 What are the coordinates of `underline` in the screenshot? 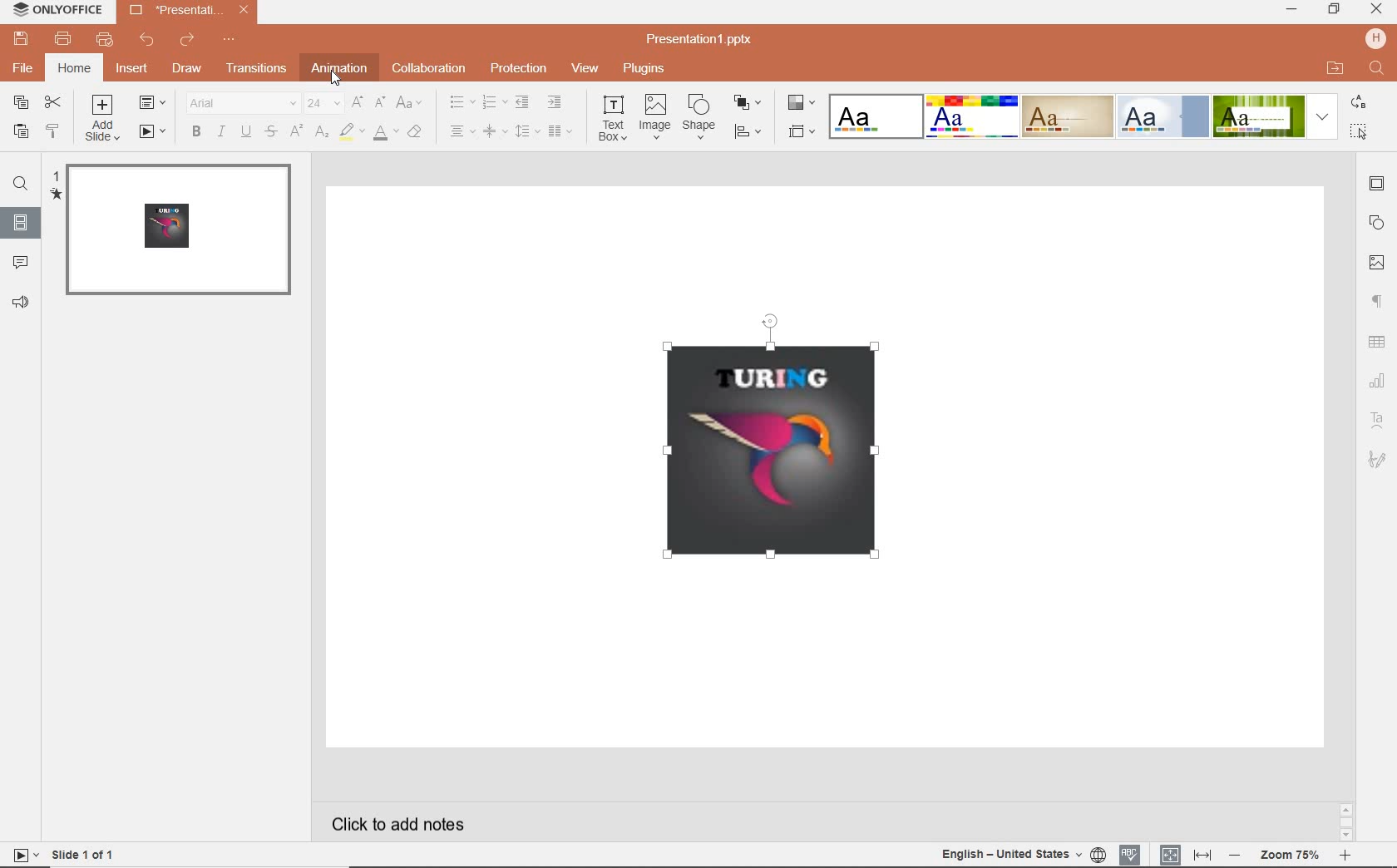 It's located at (246, 133).